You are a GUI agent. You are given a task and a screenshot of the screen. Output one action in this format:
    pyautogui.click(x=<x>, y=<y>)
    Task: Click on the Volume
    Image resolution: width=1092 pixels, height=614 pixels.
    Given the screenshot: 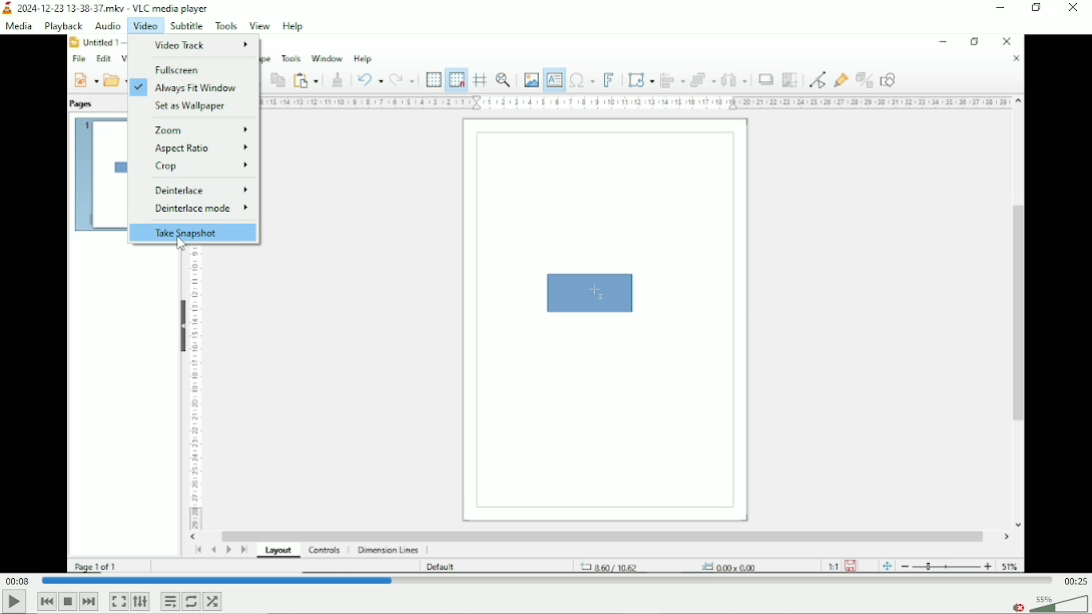 What is the action you would take?
    pyautogui.click(x=1060, y=605)
    